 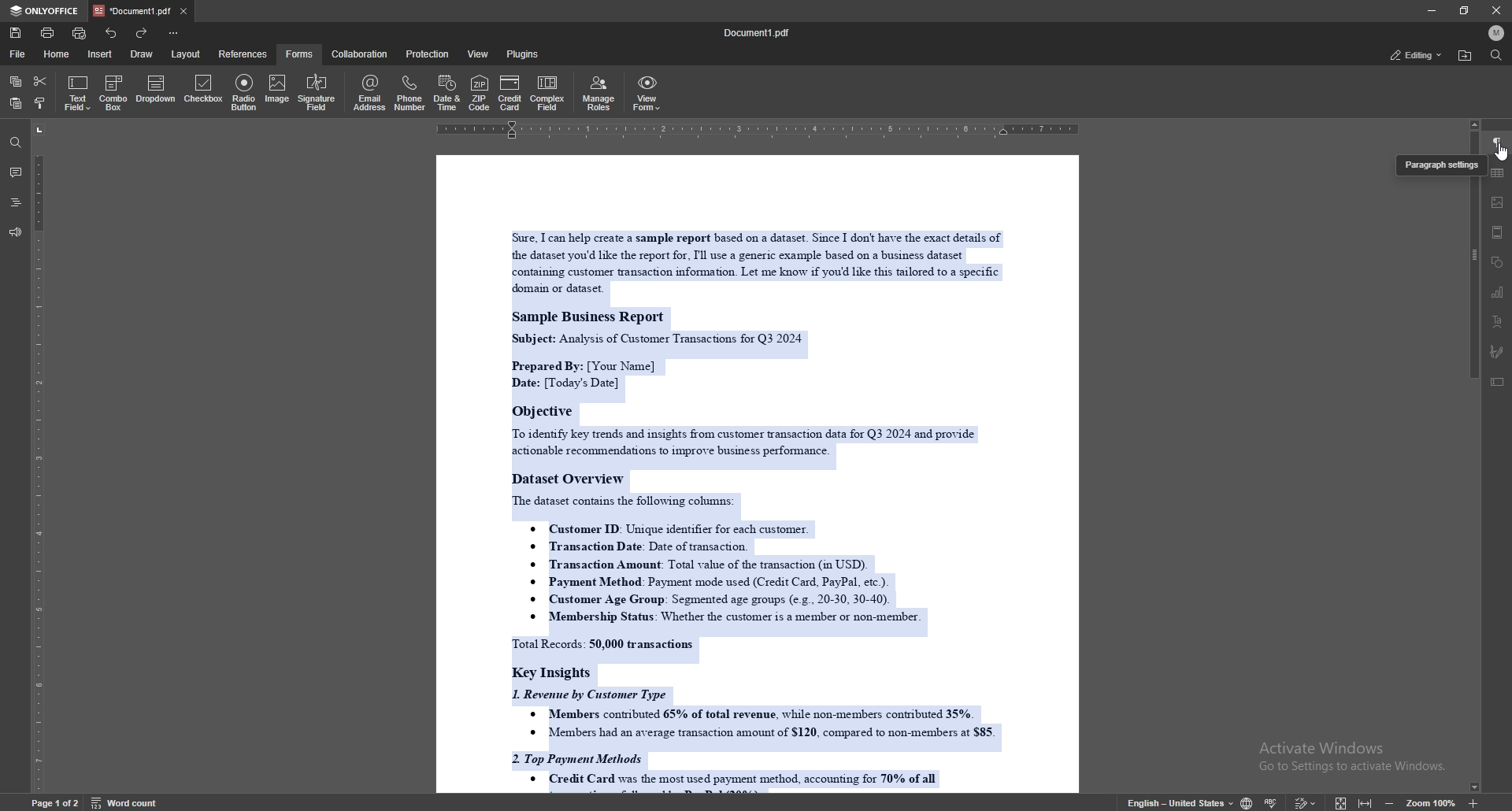 What do you see at coordinates (411, 93) in the screenshot?
I see `phone number` at bounding box center [411, 93].